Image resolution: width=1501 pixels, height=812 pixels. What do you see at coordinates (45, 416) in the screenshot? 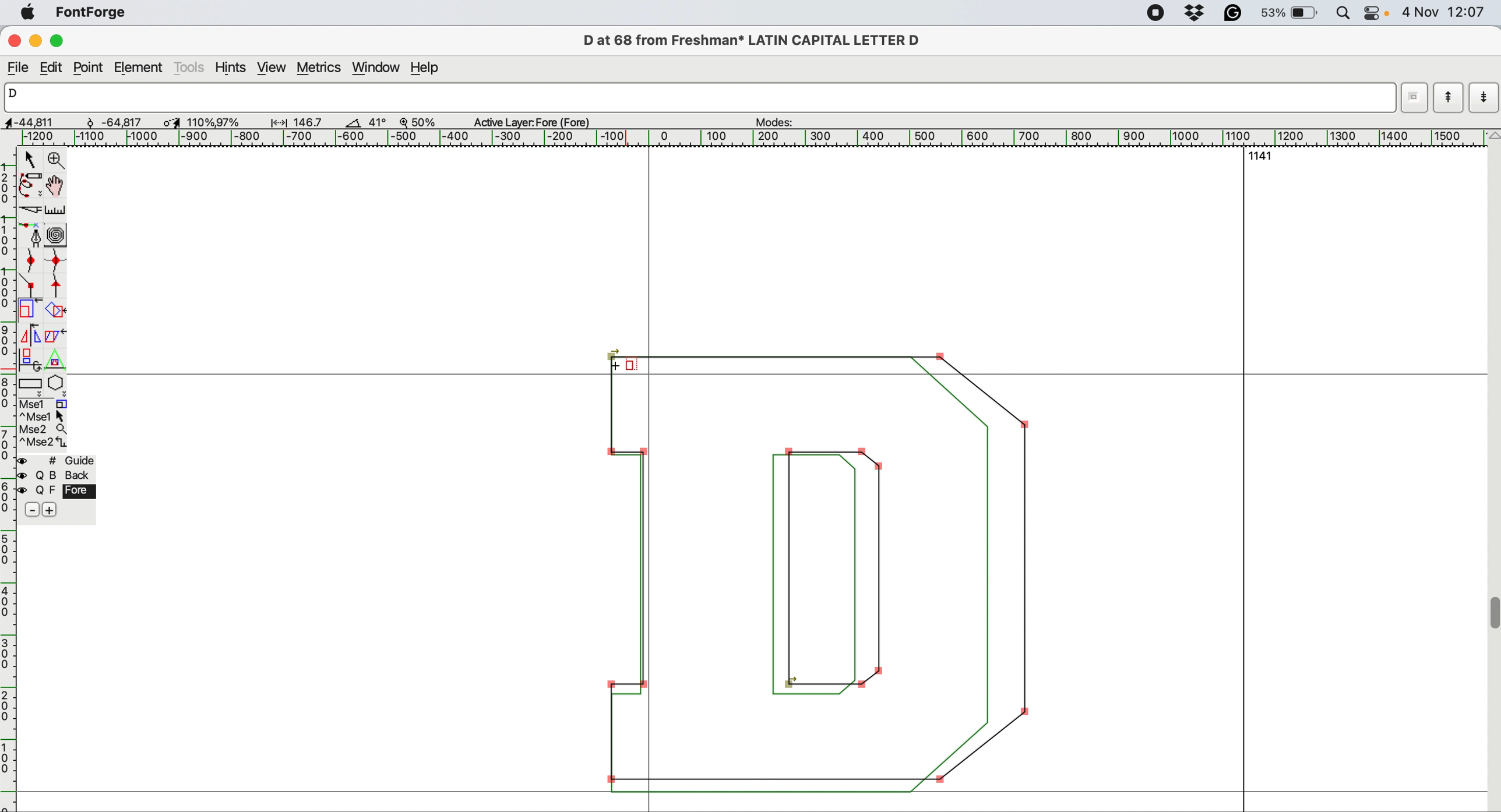
I see `^Mse1` at bounding box center [45, 416].